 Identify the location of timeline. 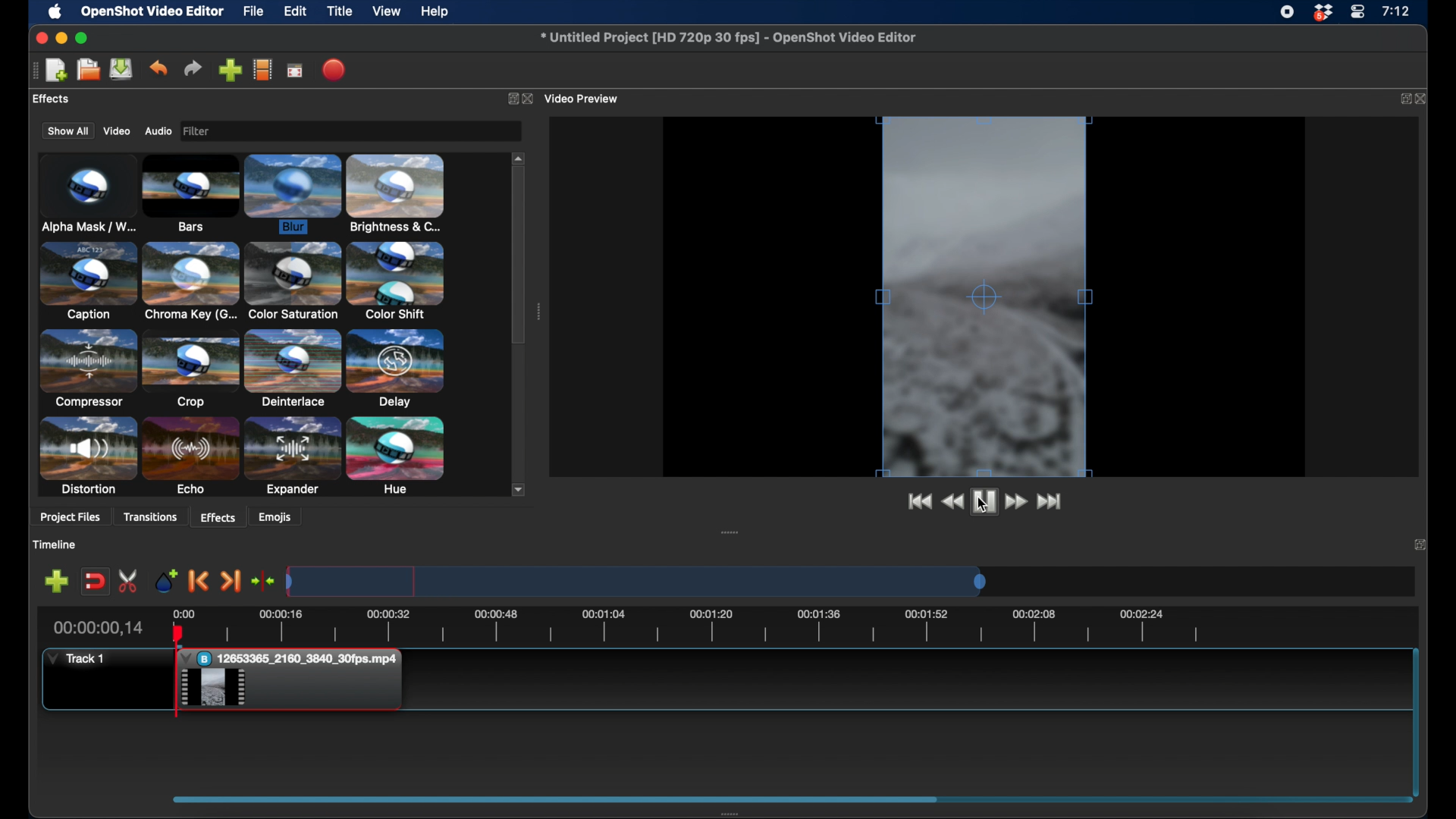
(54, 544).